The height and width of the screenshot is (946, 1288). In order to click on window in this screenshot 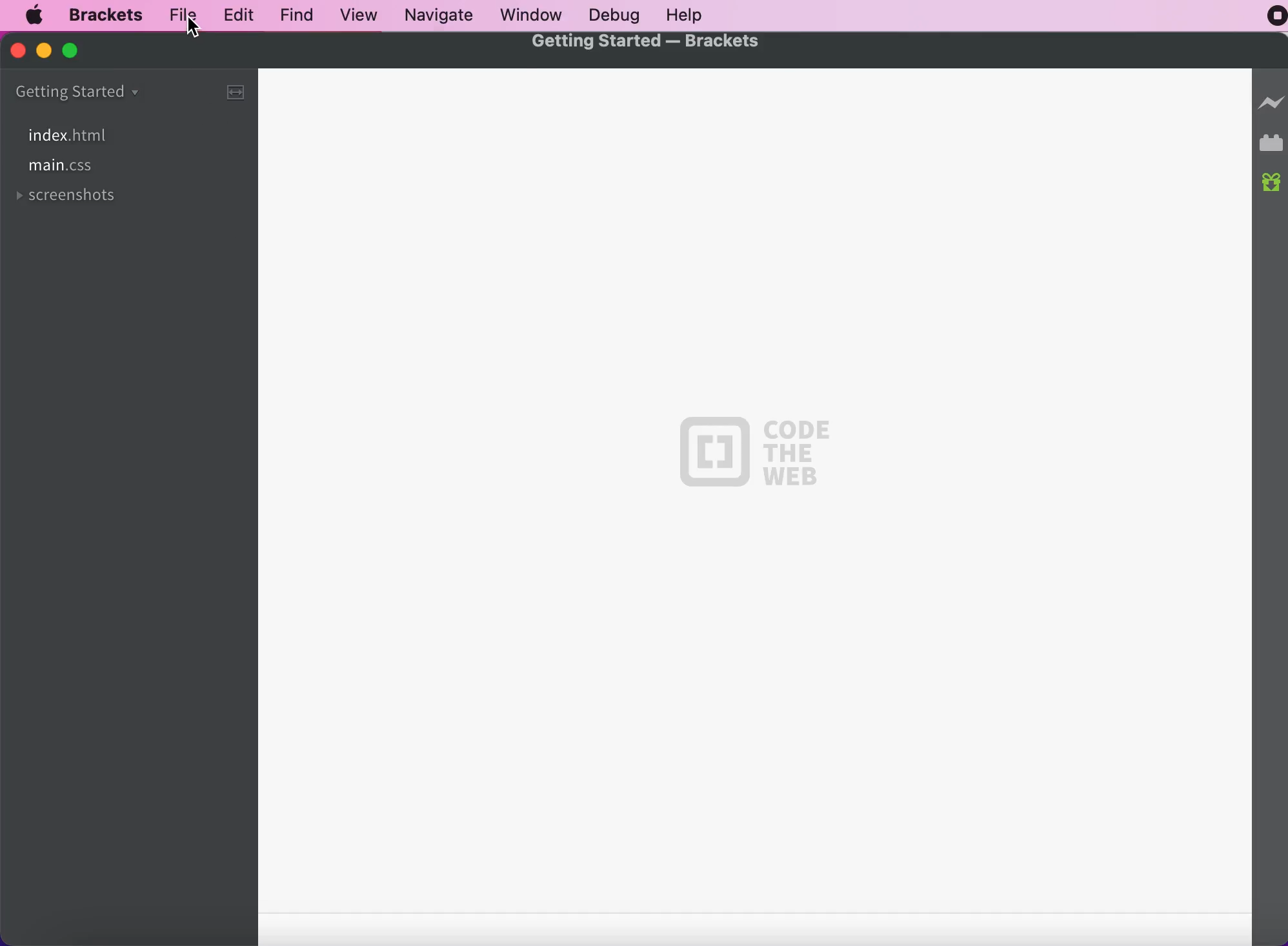, I will do `click(533, 15)`.